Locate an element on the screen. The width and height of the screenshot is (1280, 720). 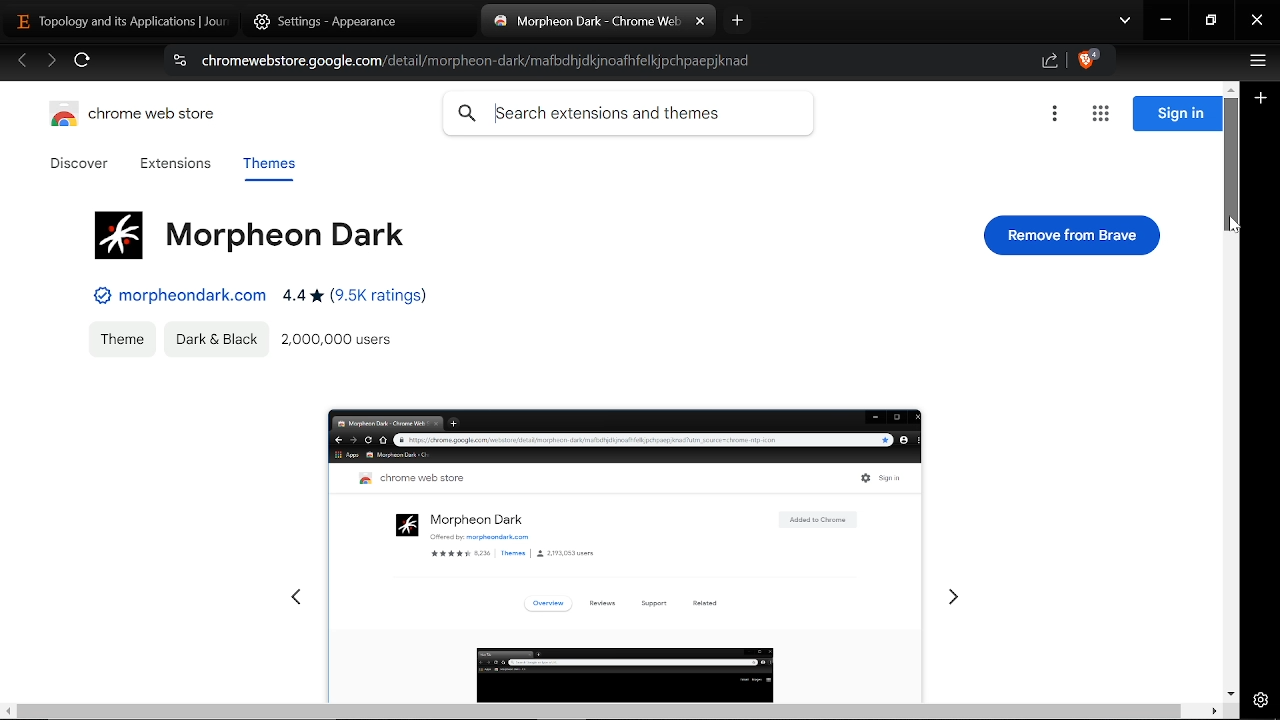
Ratings is located at coordinates (354, 299).